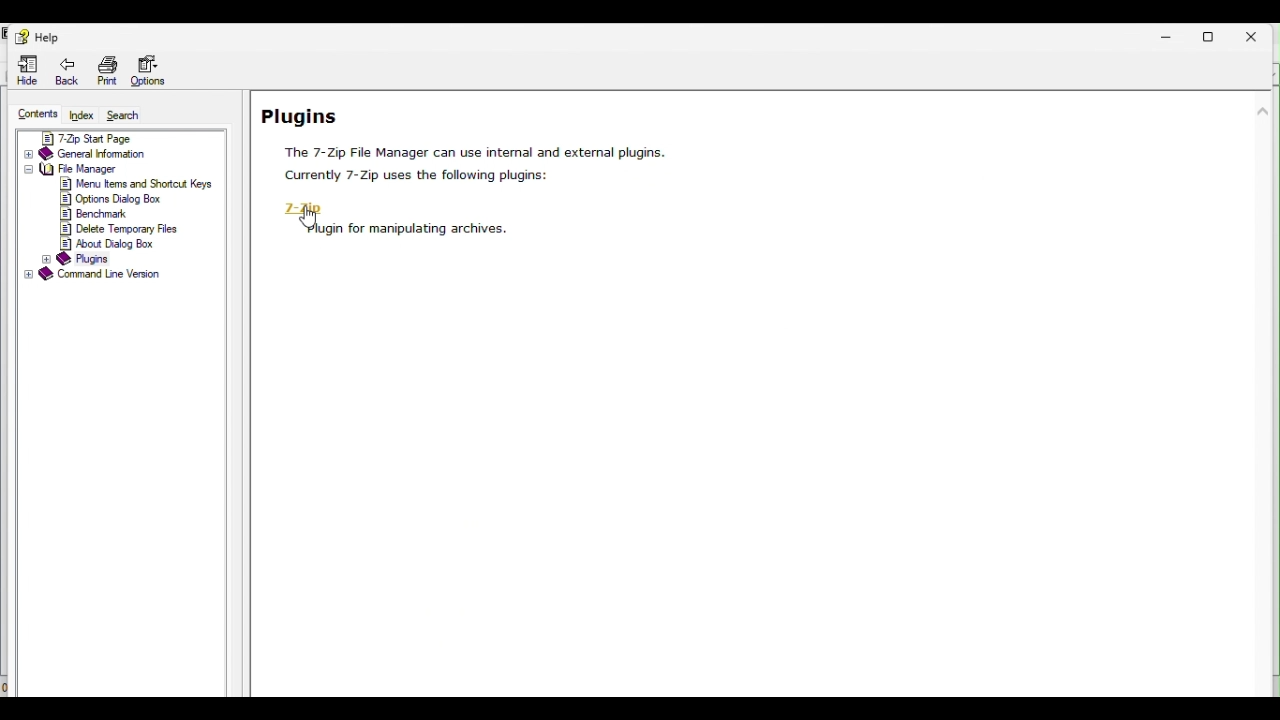 The image size is (1280, 720). Describe the element at coordinates (96, 213) in the screenshot. I see `benchmark` at that location.